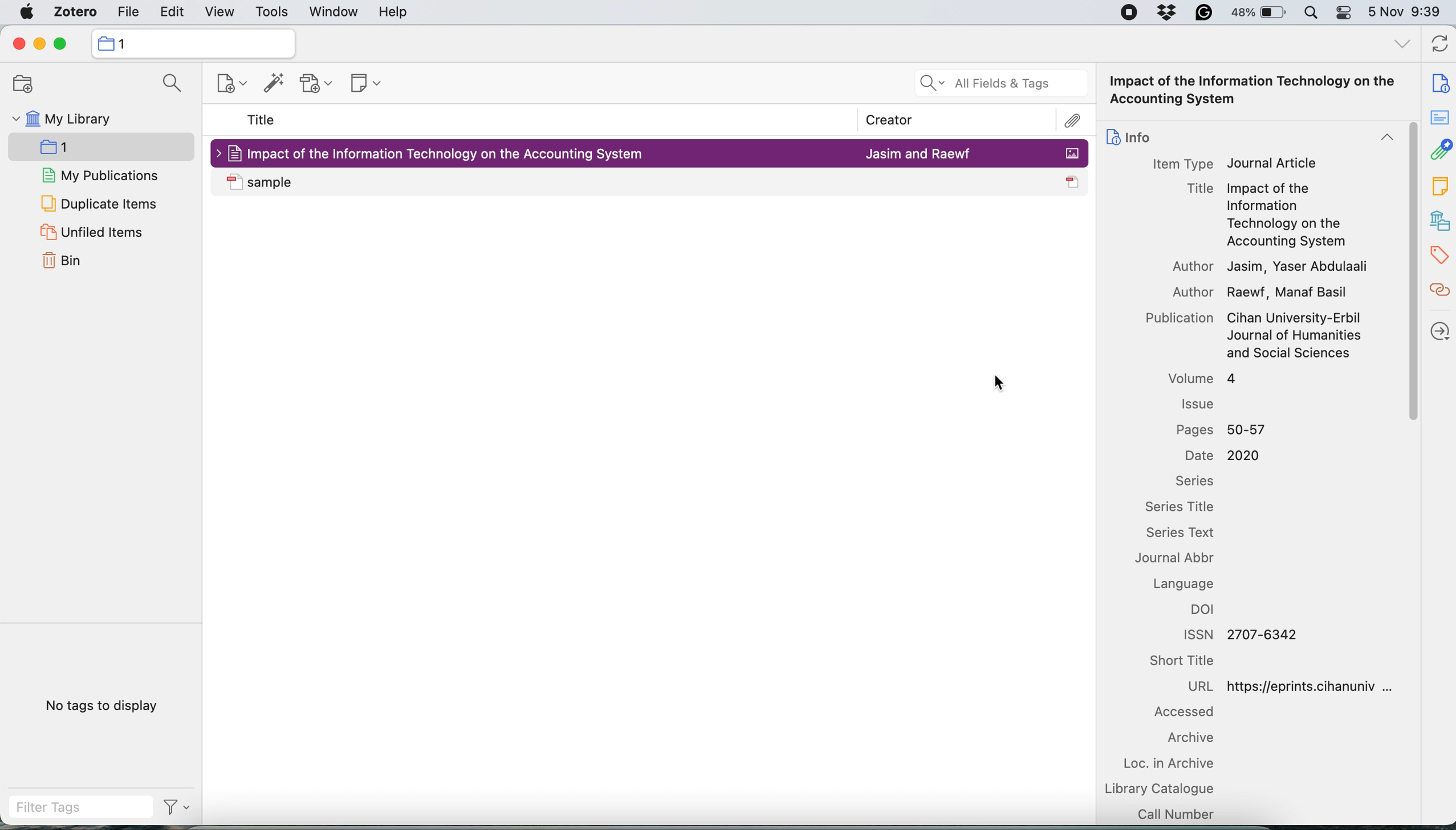 This screenshot has width=1456, height=830. I want to click on sample, so click(264, 183).